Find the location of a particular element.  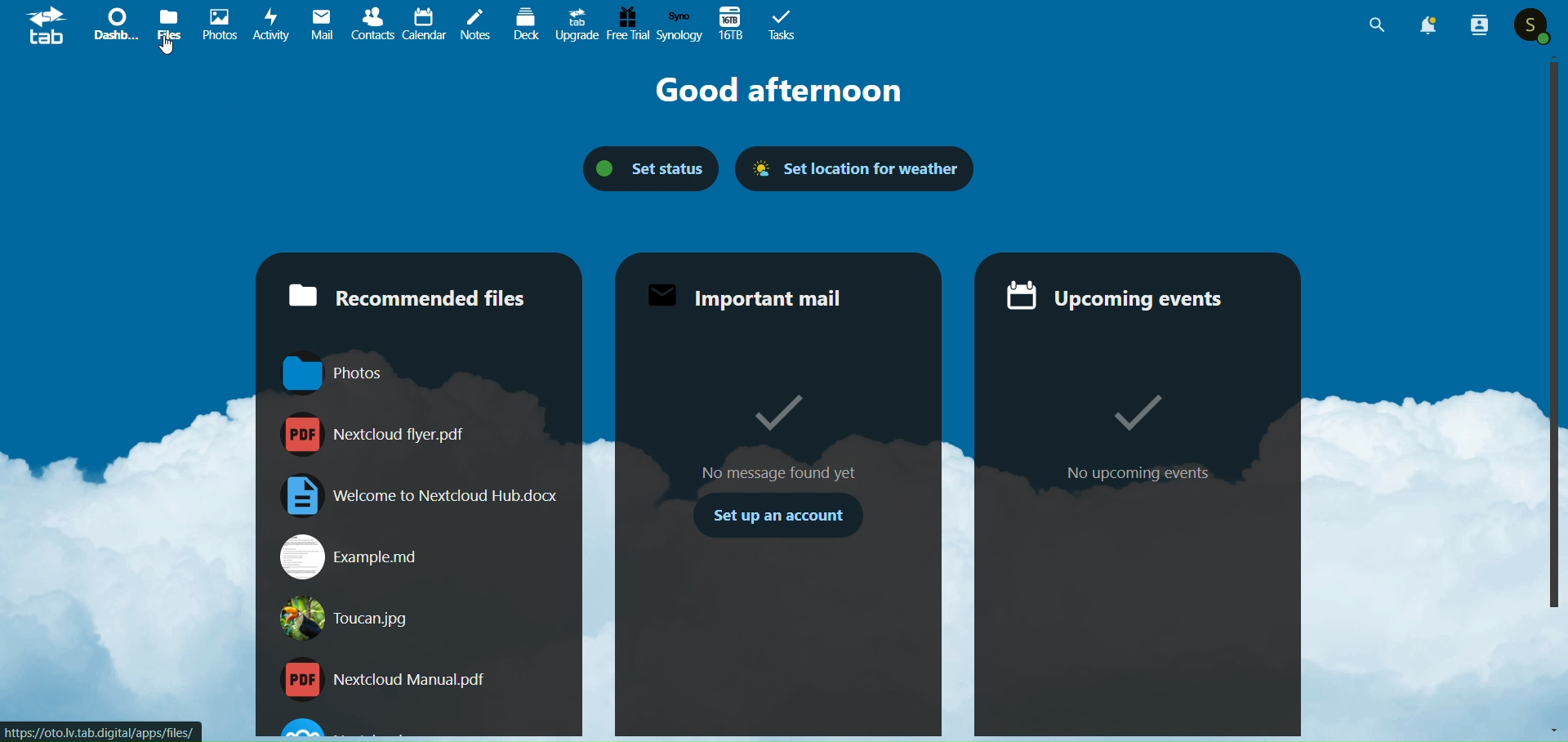

contacts is located at coordinates (372, 25).